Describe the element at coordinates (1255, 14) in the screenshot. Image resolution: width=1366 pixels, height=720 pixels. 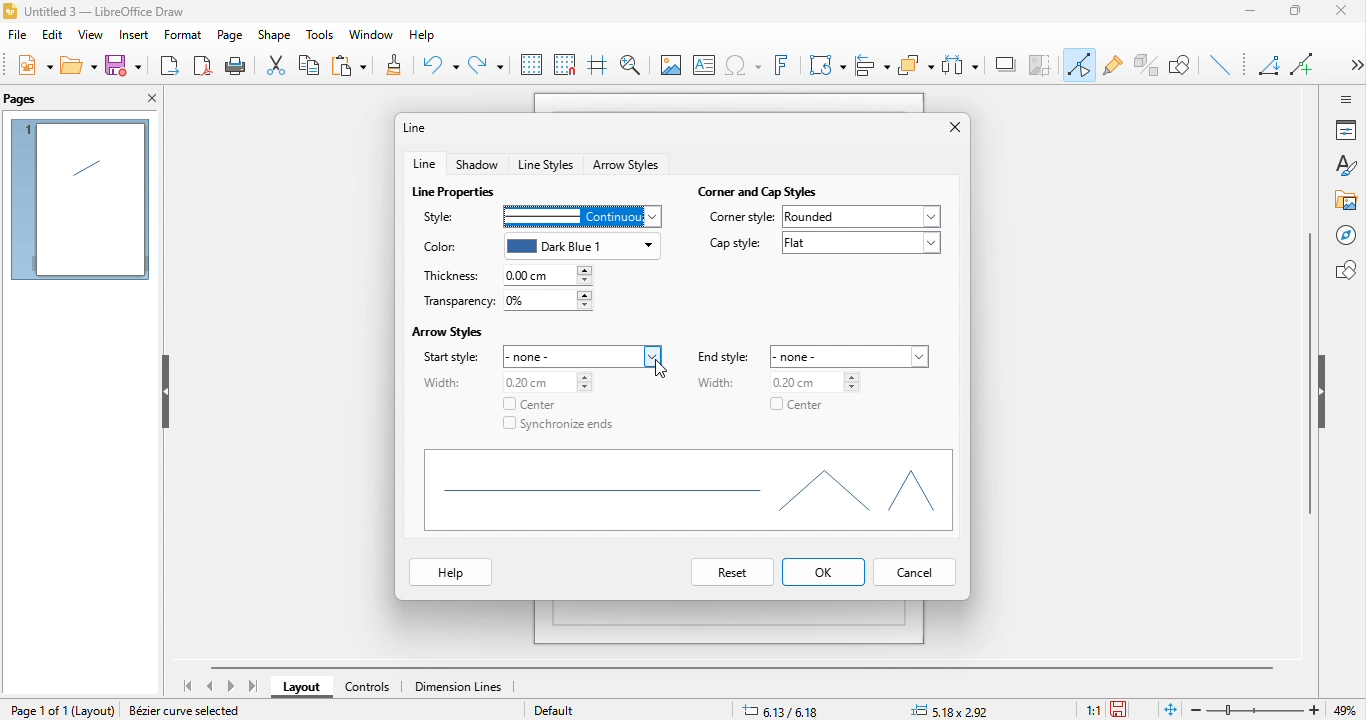
I see `minimize` at that location.